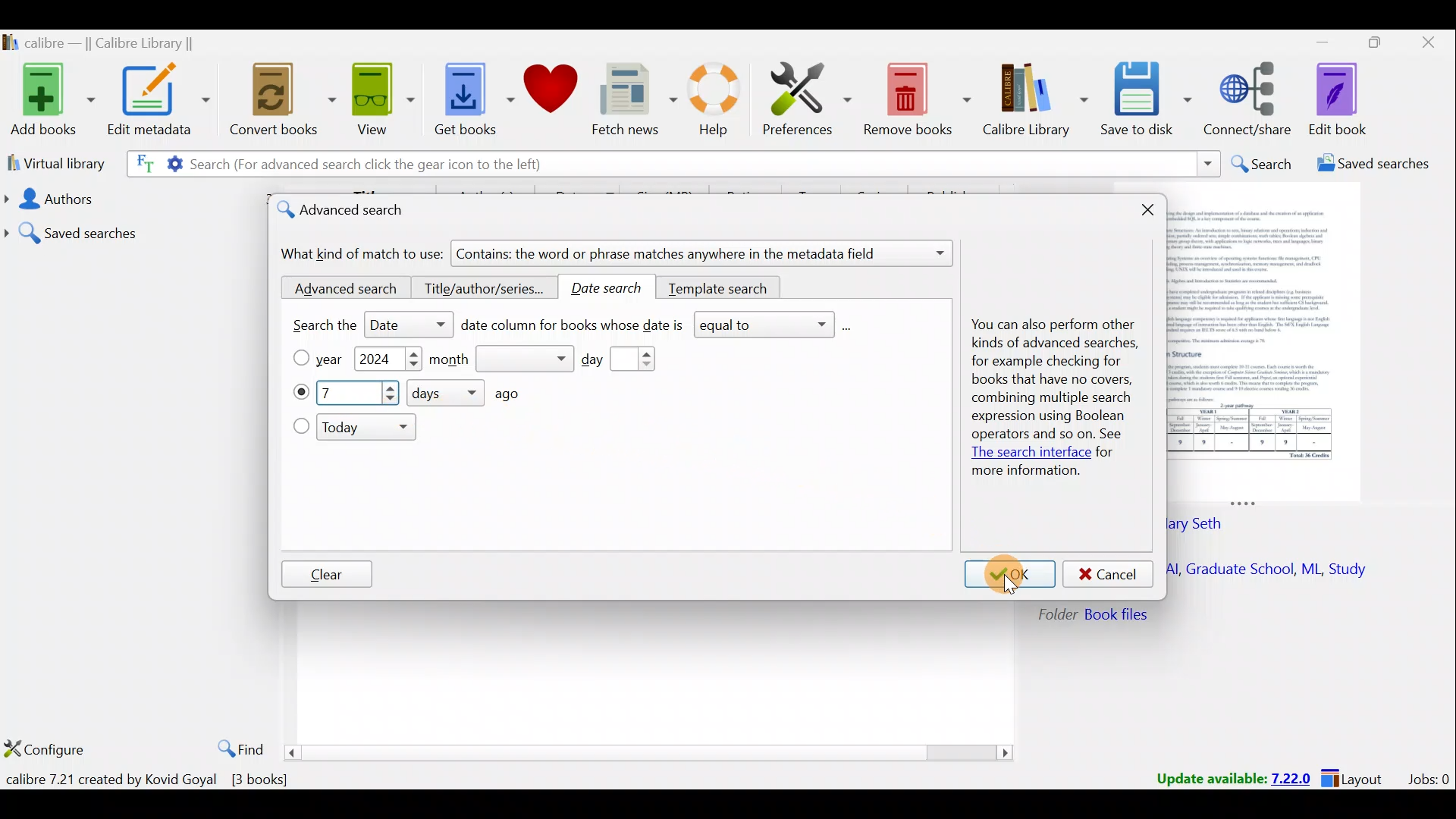  I want to click on Date column for books whose date is, so click(573, 328).